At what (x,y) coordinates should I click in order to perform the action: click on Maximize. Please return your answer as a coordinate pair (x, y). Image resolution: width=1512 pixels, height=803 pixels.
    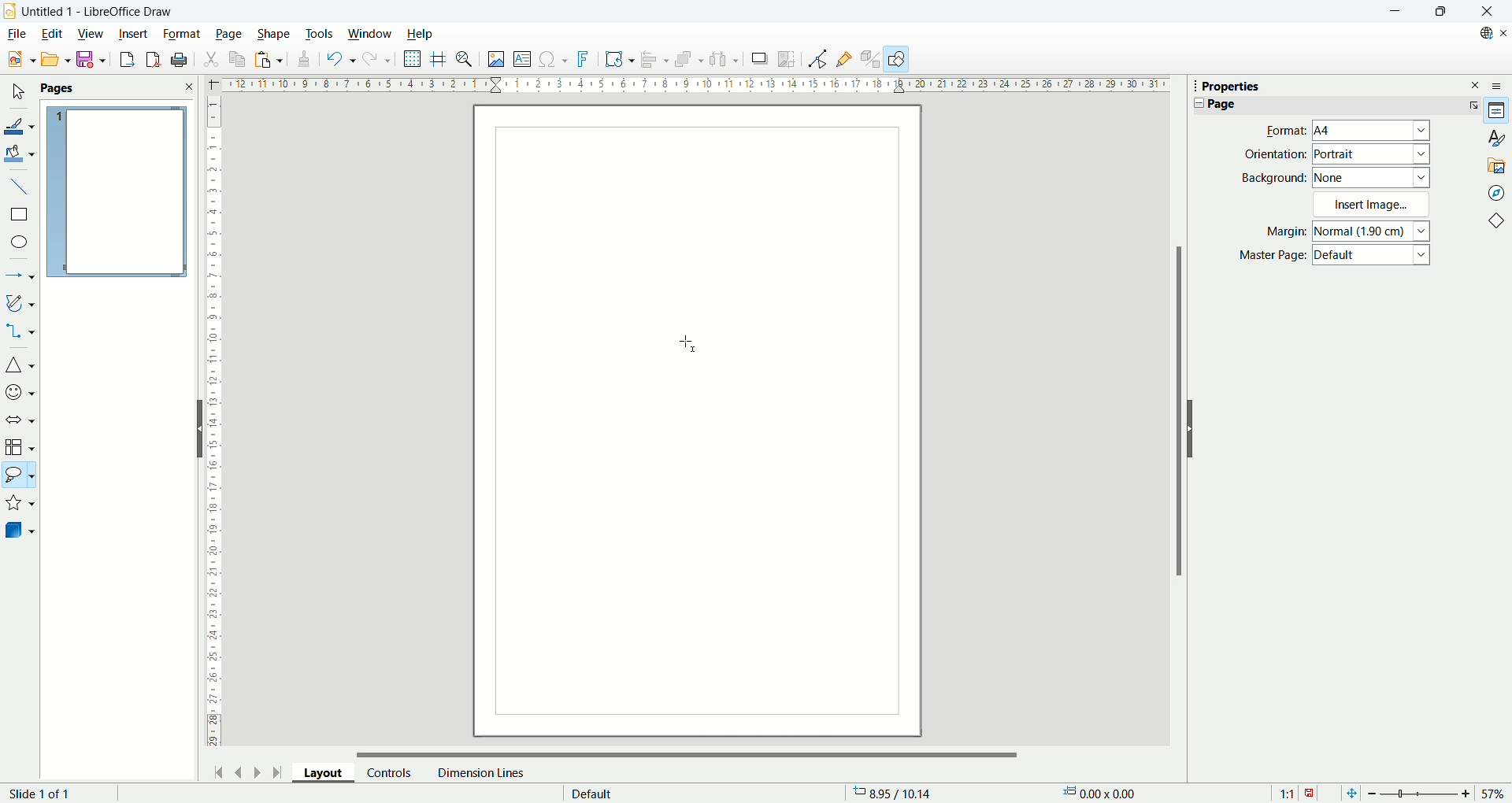
    Looking at the image, I should click on (1440, 12).